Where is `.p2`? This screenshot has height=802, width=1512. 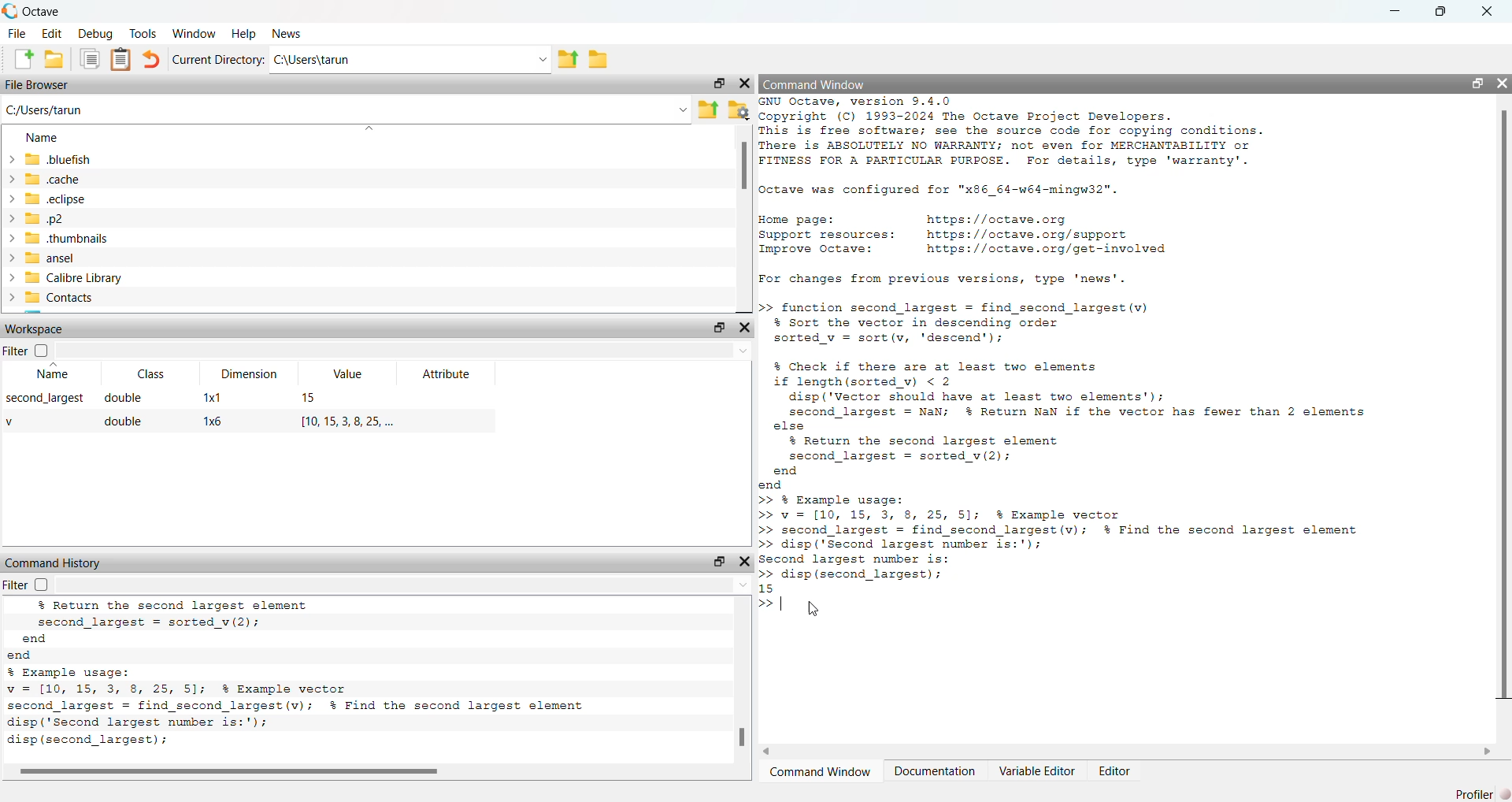
.p2 is located at coordinates (71, 219).